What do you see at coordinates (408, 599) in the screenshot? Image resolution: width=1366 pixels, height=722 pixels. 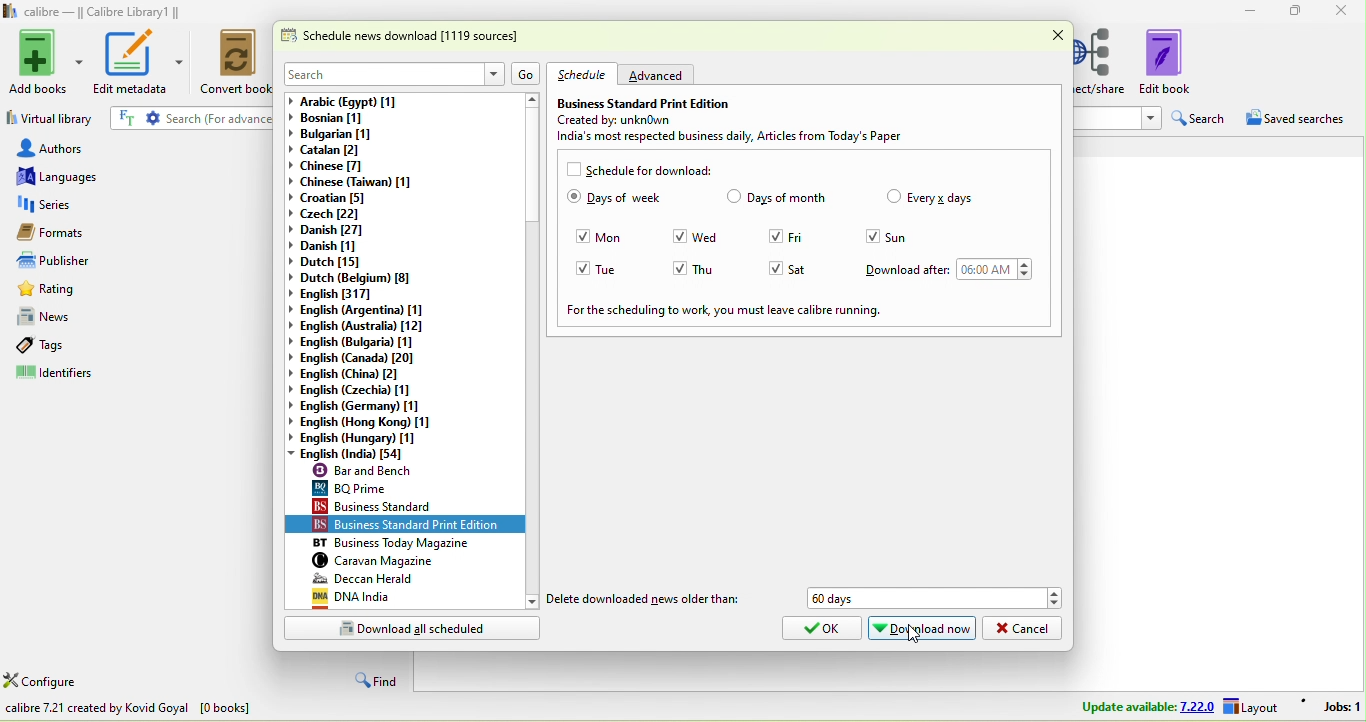 I see `dna india` at bounding box center [408, 599].